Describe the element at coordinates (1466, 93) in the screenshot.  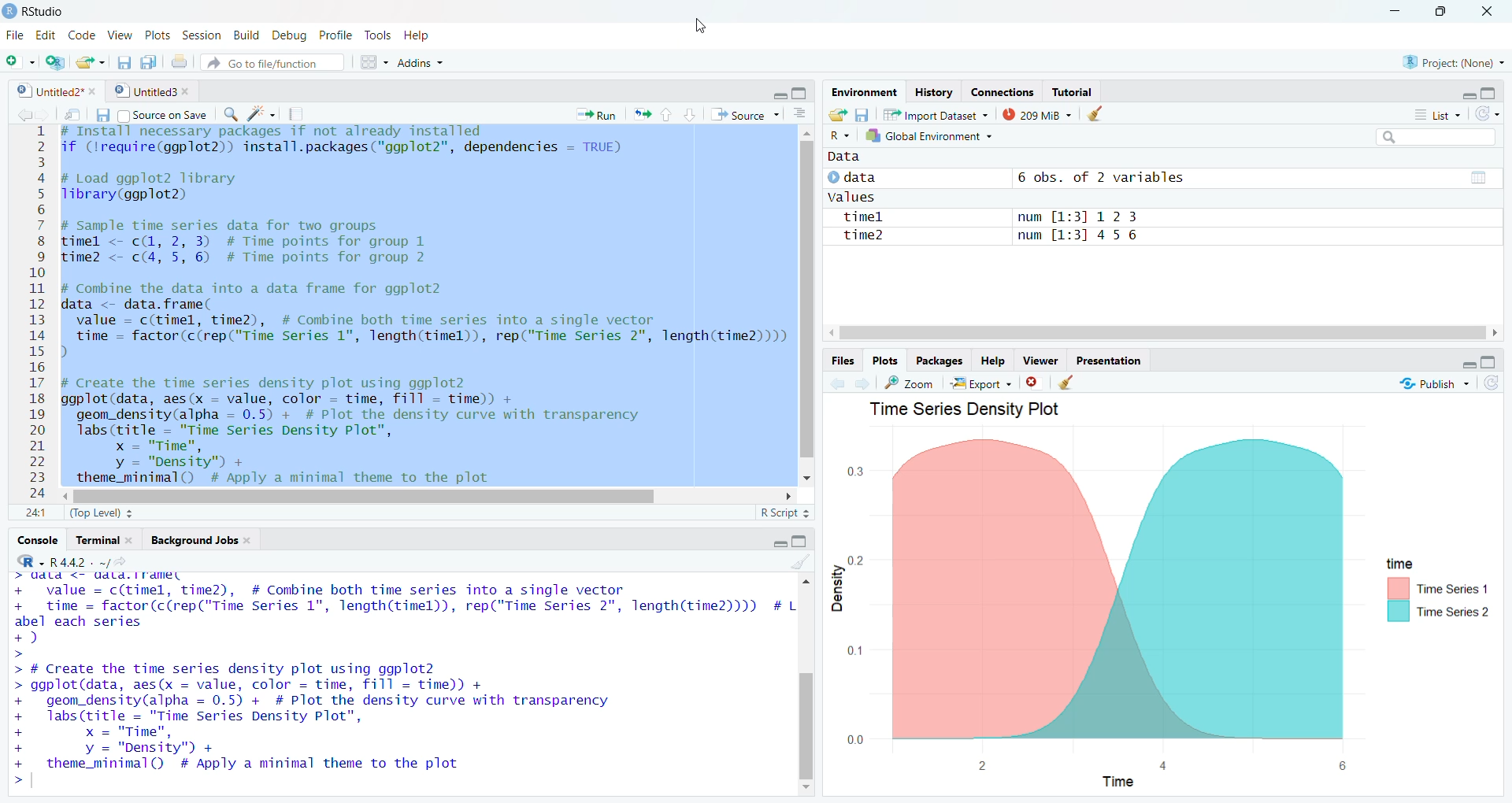
I see `Minimize` at that location.